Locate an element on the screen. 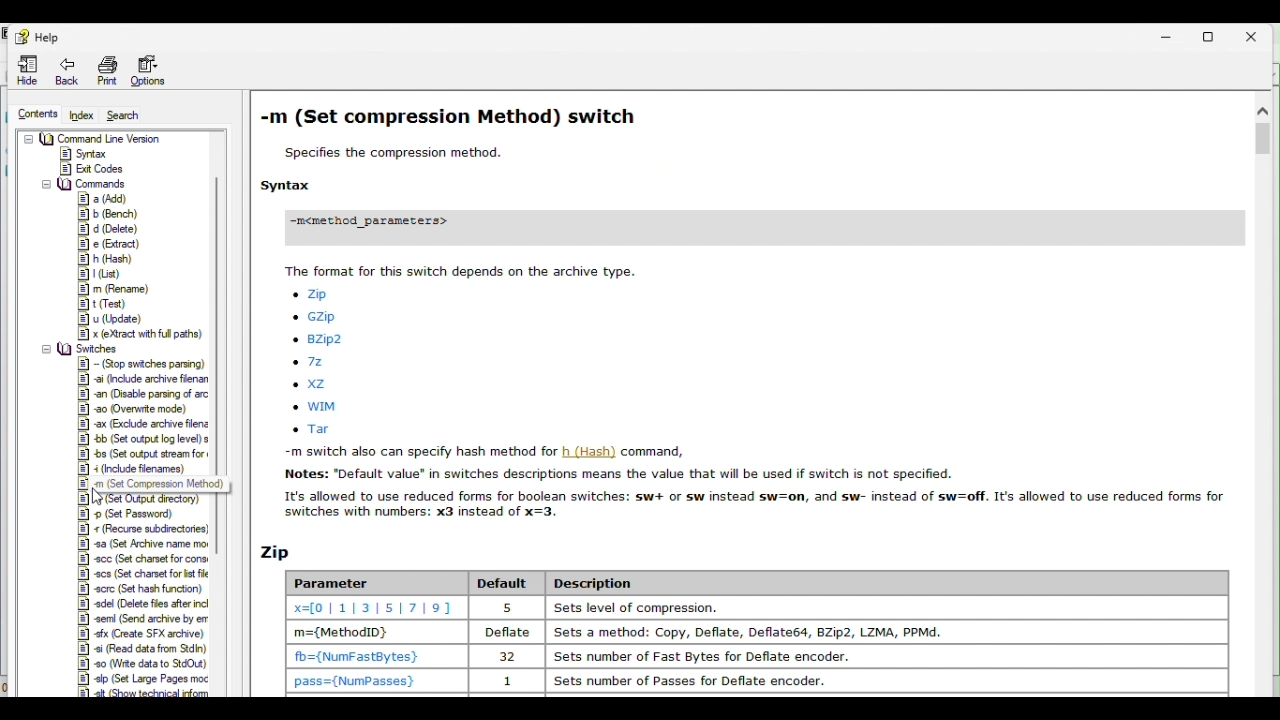 This screenshot has height=720, width=1280. recursive subdirectories is located at coordinates (146, 528).